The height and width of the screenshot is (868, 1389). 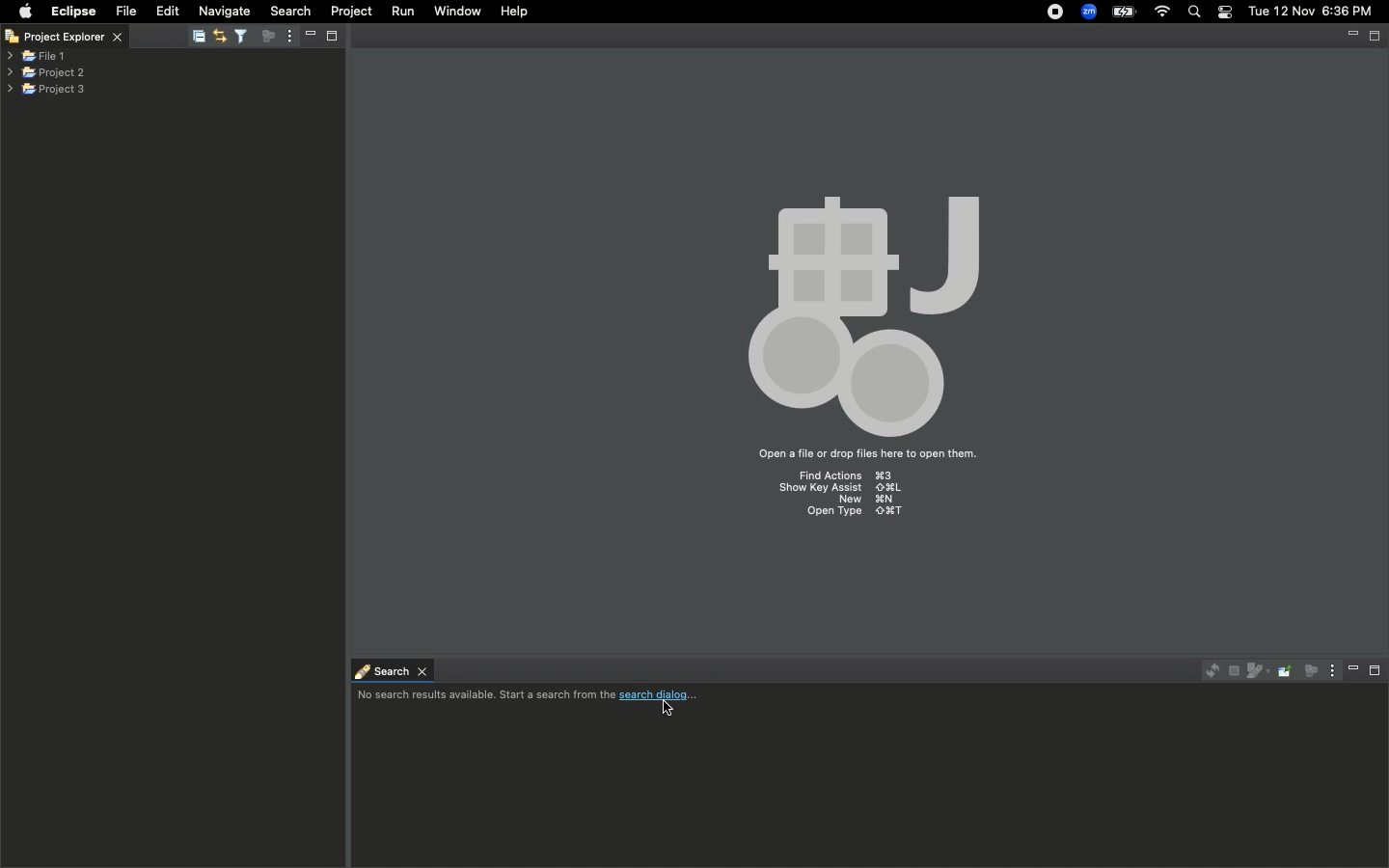 I want to click on Navigate, so click(x=226, y=12).